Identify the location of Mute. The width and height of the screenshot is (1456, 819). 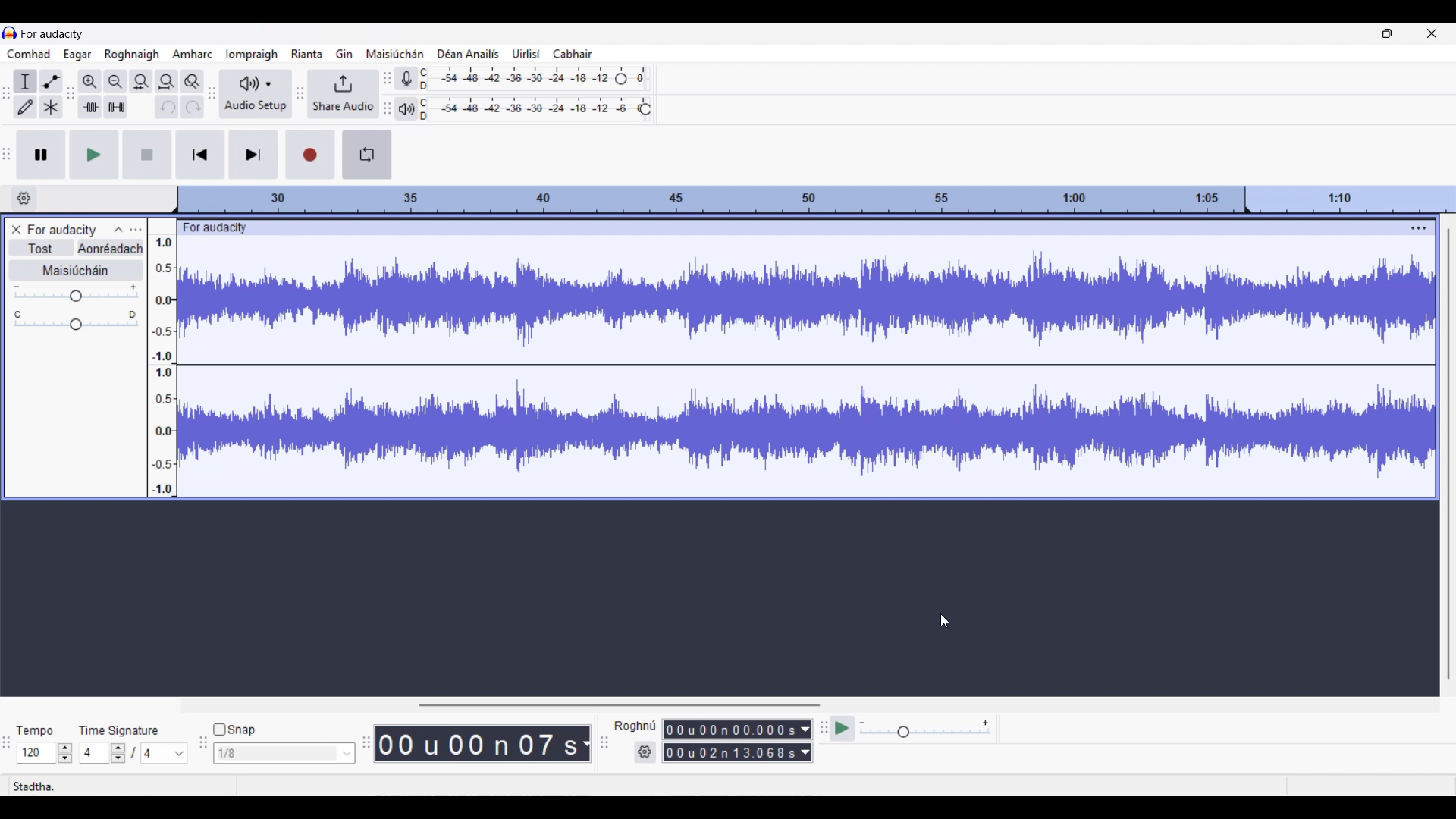
(41, 248).